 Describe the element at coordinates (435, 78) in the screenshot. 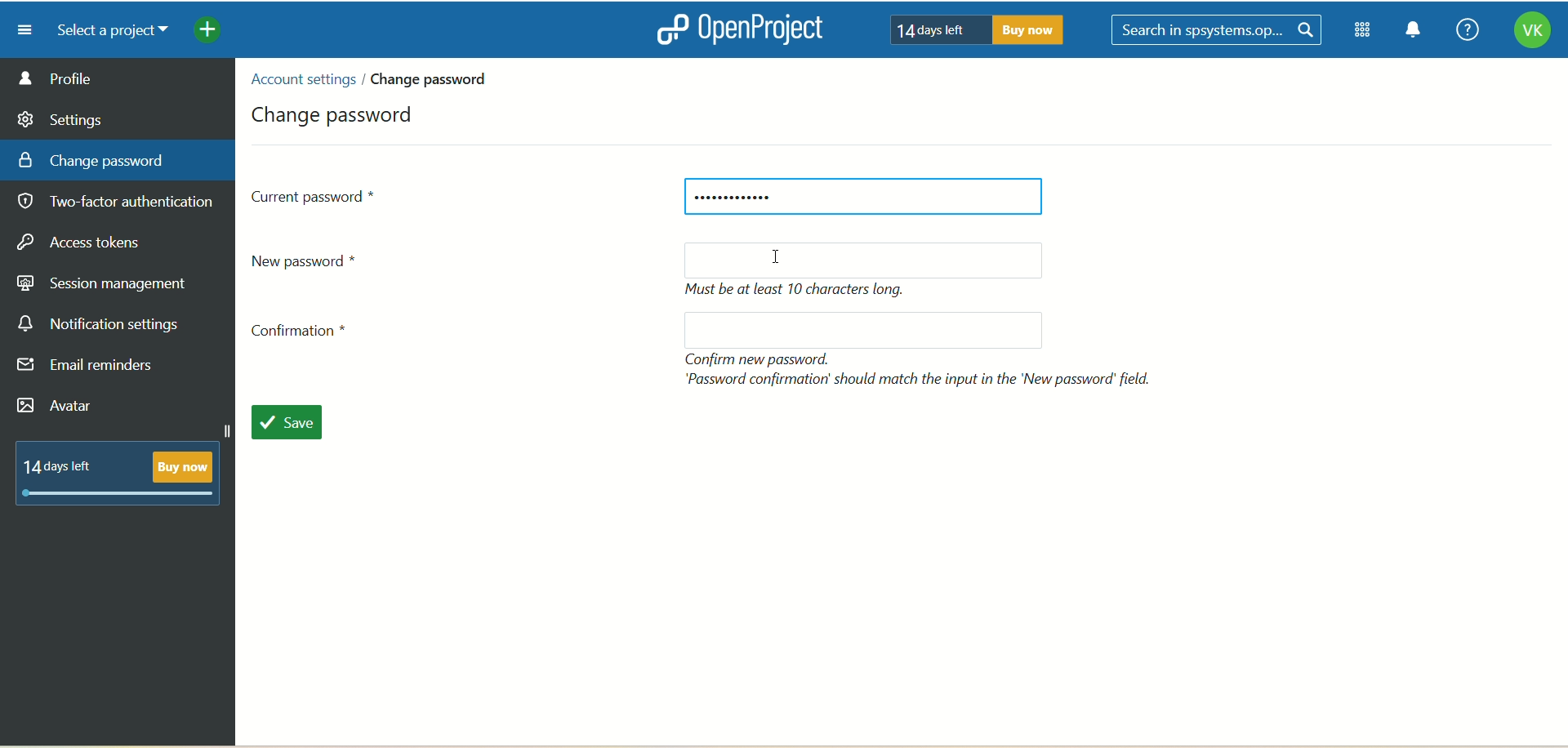

I see `change password` at that location.